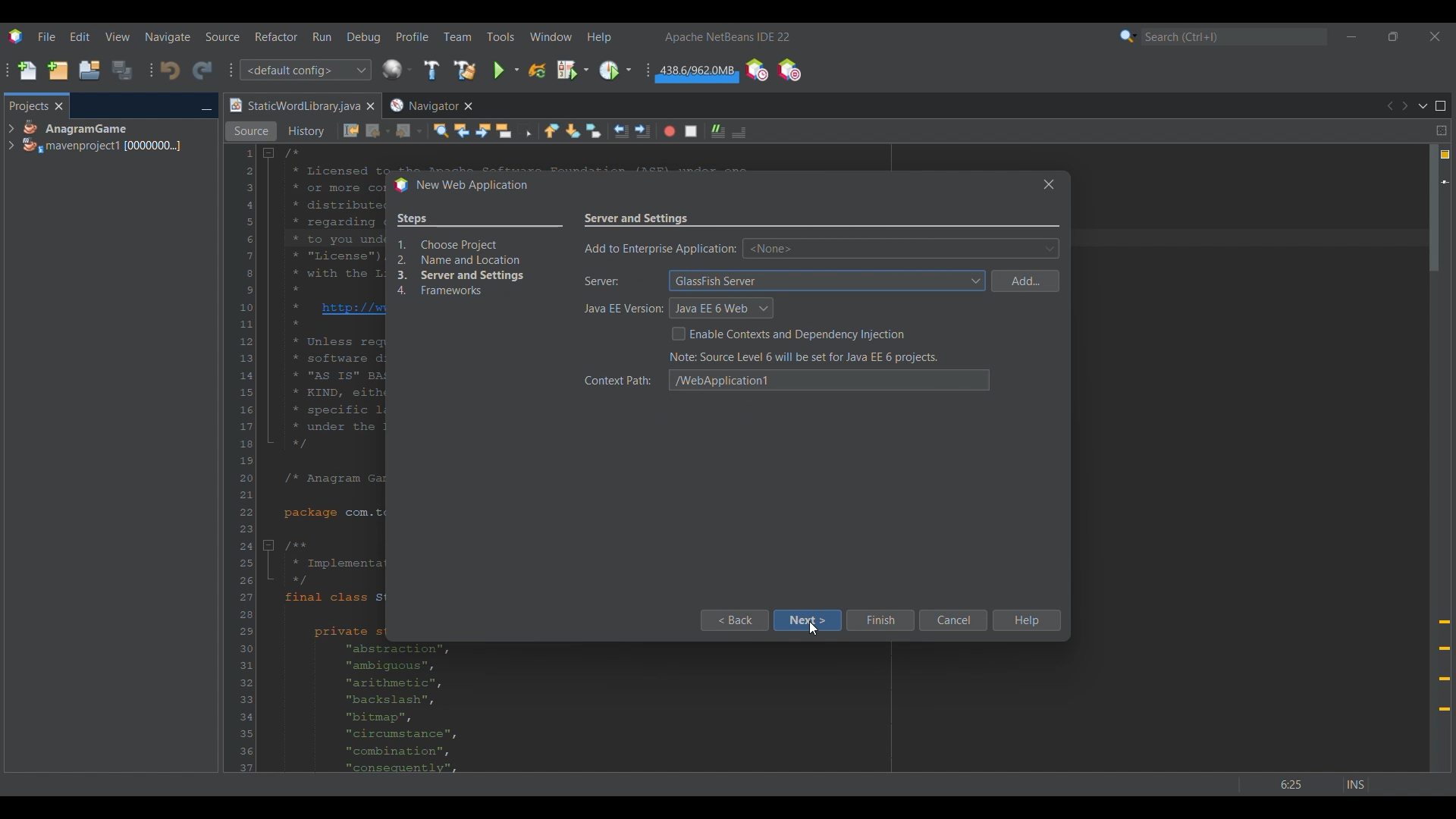  I want to click on Text box, so click(830, 385).